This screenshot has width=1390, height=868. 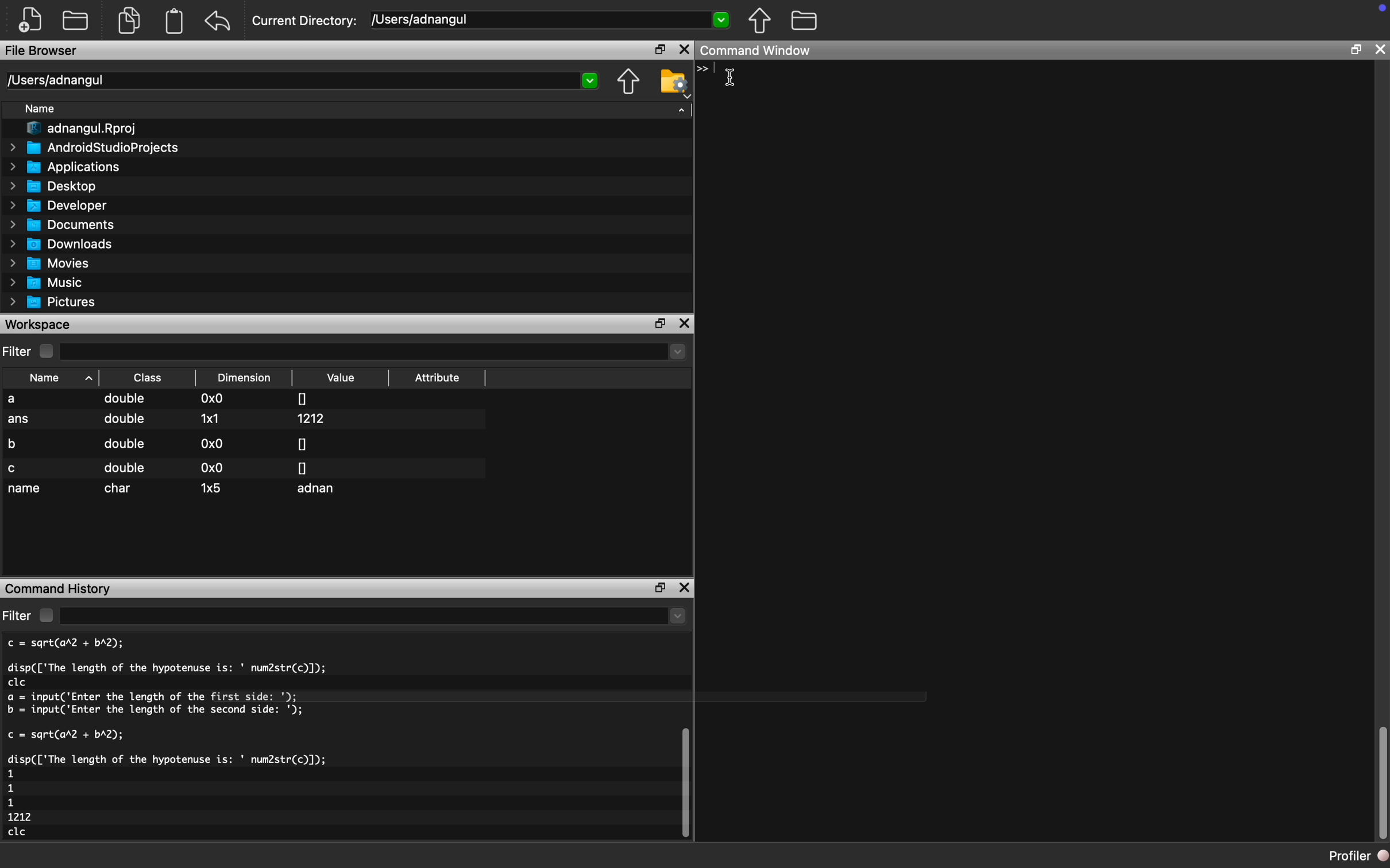 I want to click on Filter, so click(x=18, y=352).